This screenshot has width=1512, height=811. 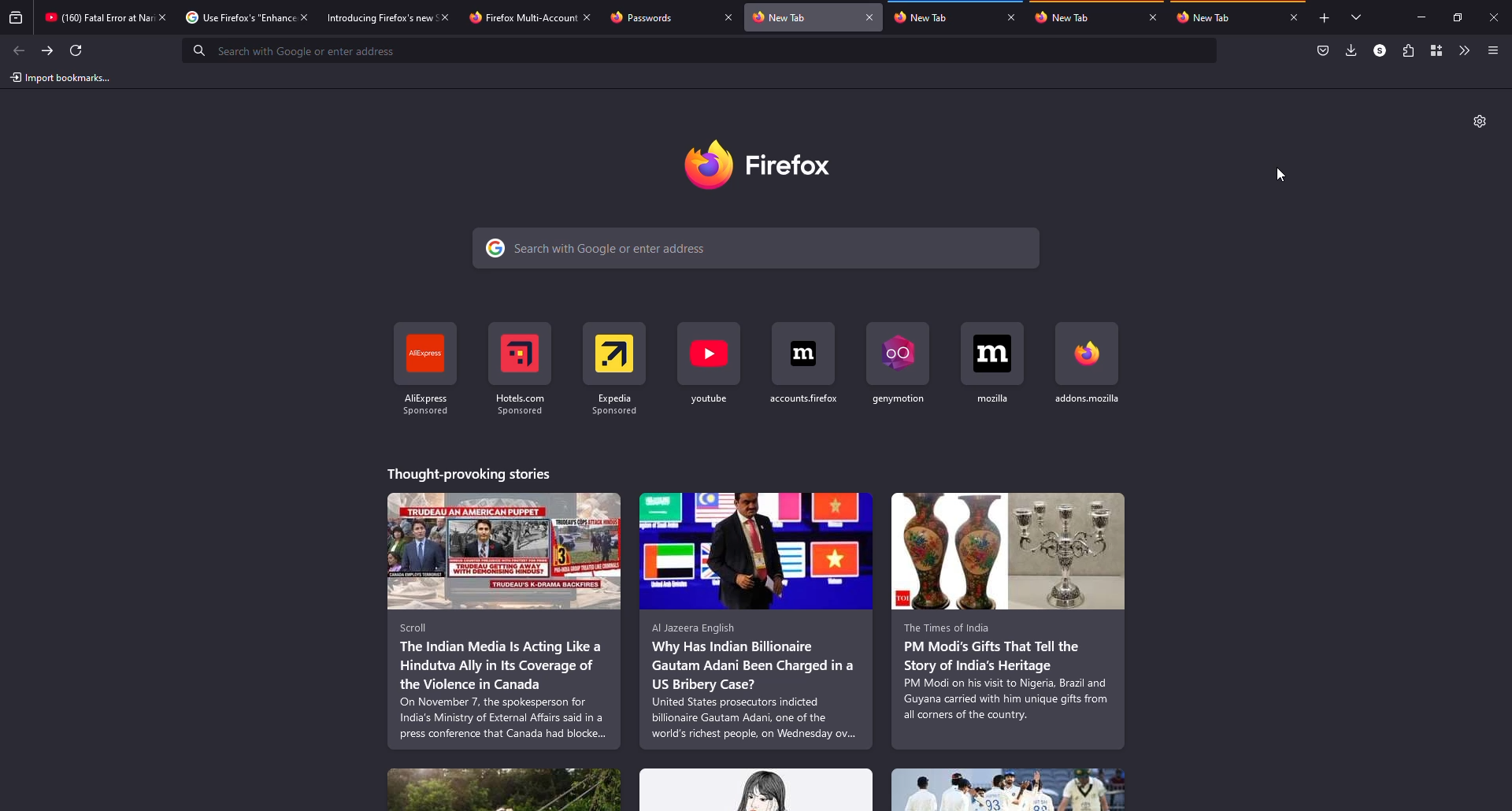 I want to click on tab, so click(x=1083, y=20).